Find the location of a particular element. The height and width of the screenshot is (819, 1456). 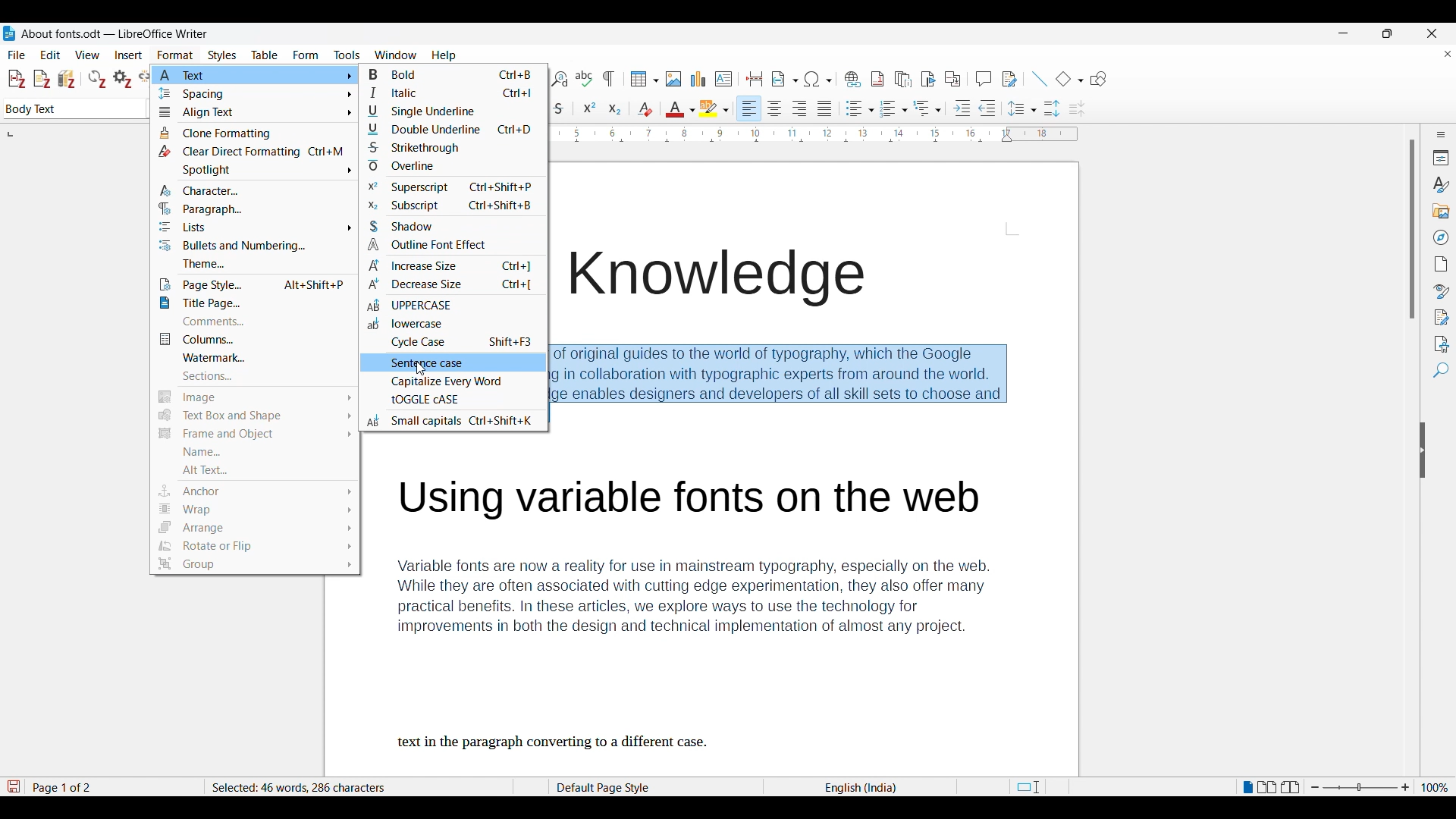

Arrange is located at coordinates (255, 530).